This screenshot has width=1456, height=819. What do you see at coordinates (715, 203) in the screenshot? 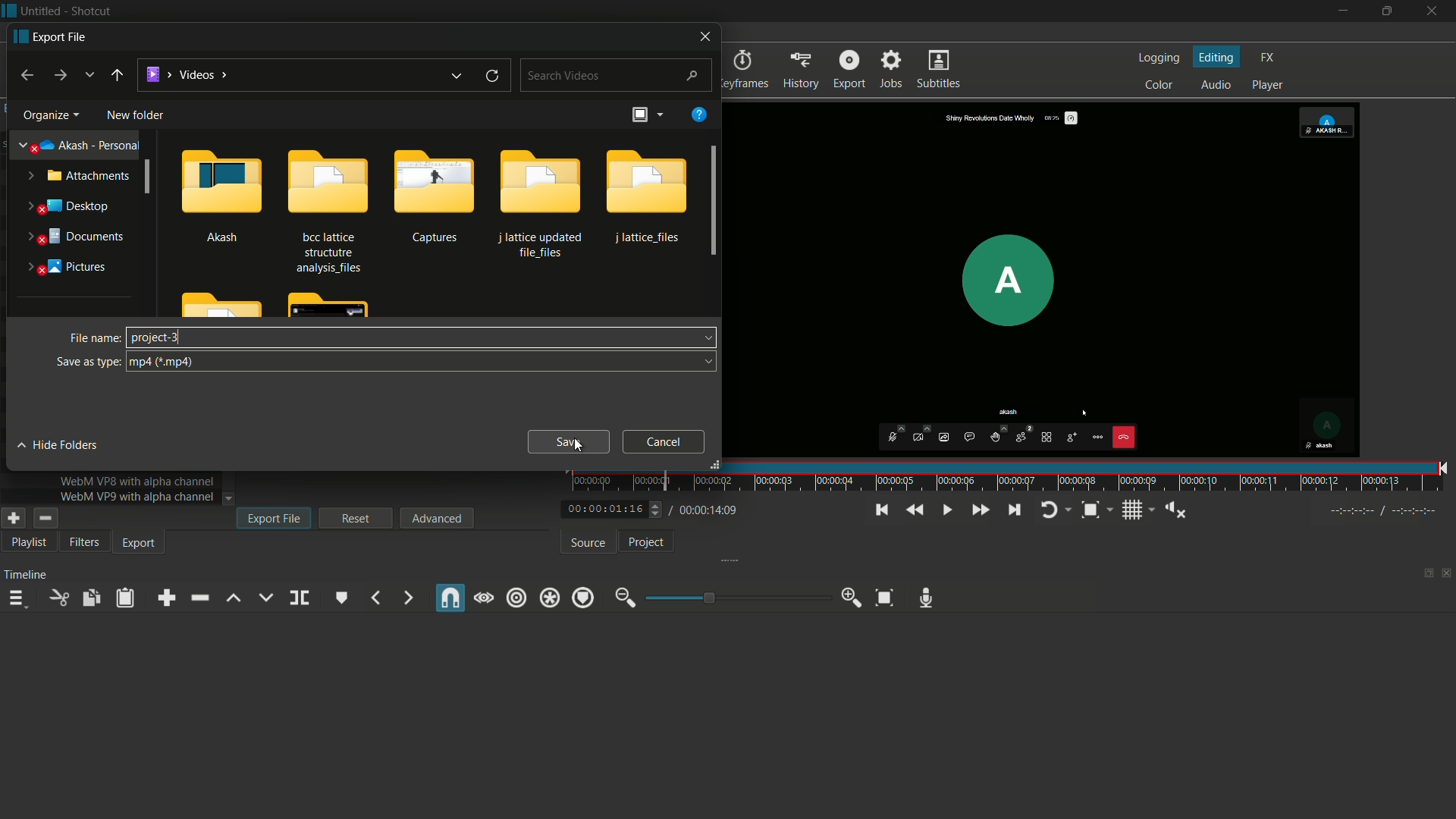
I see `scroll bar` at bounding box center [715, 203].